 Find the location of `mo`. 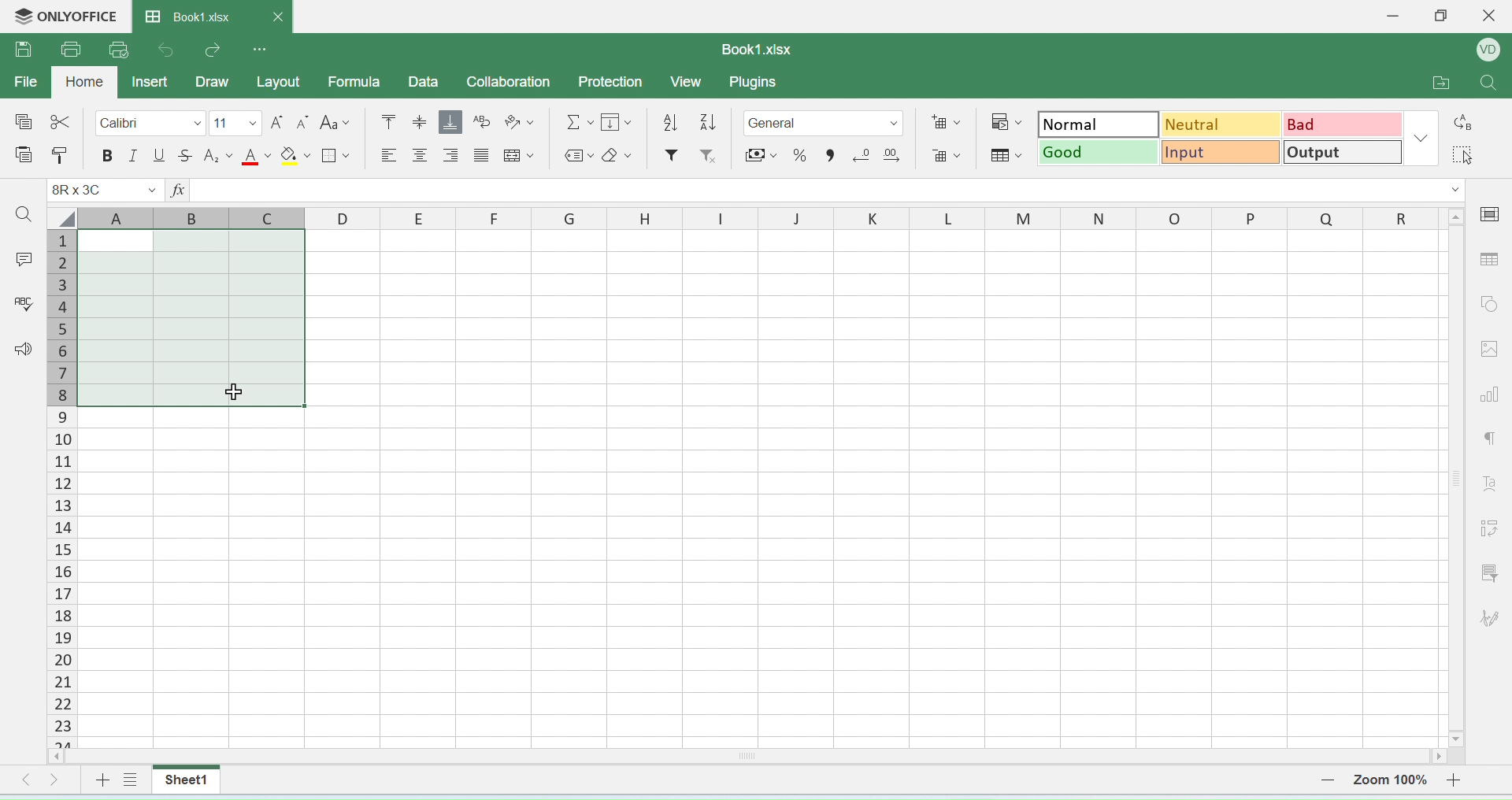

mo is located at coordinates (391, 123).